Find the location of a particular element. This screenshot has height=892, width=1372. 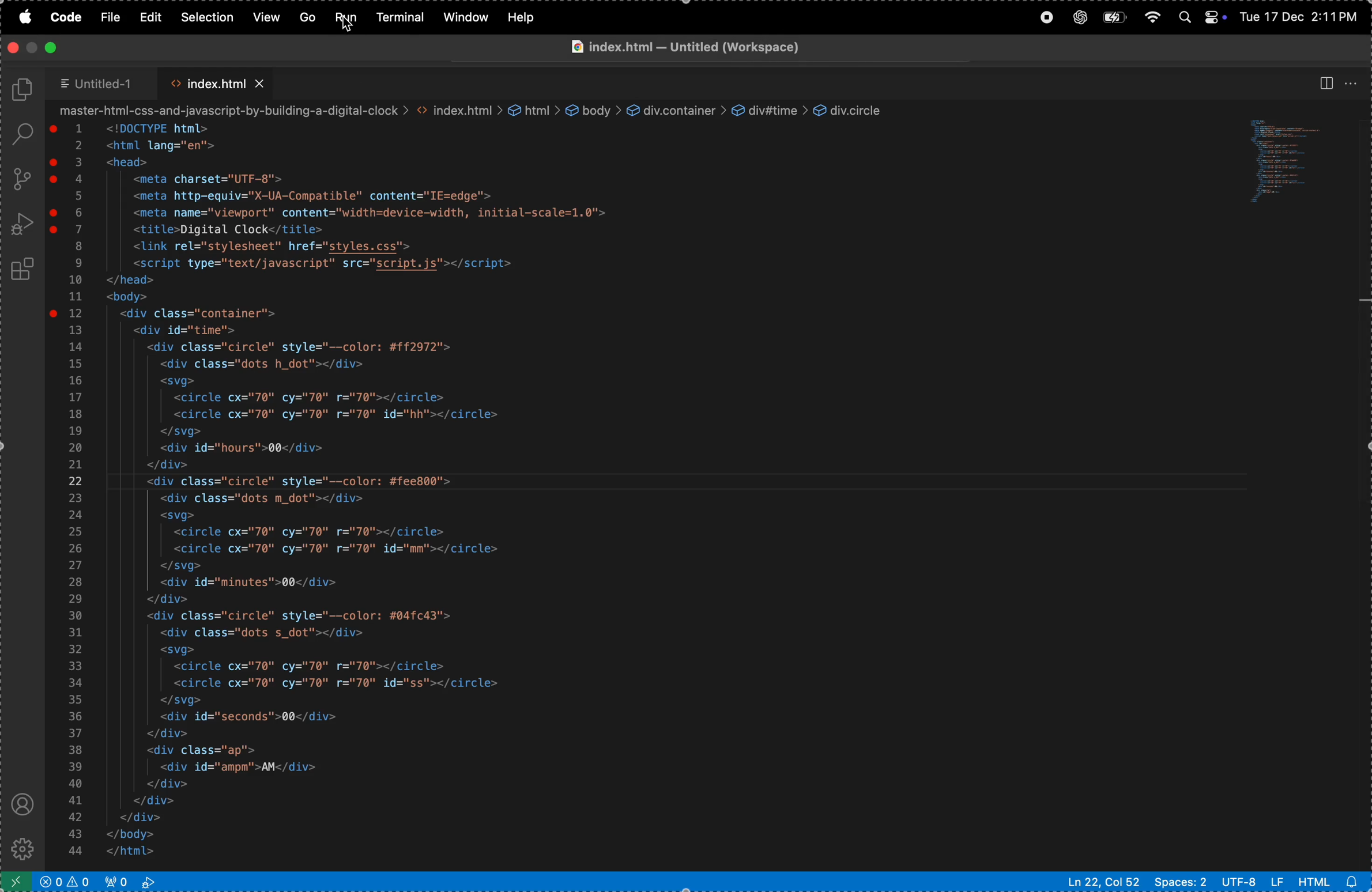

ln col is located at coordinates (1104, 882).